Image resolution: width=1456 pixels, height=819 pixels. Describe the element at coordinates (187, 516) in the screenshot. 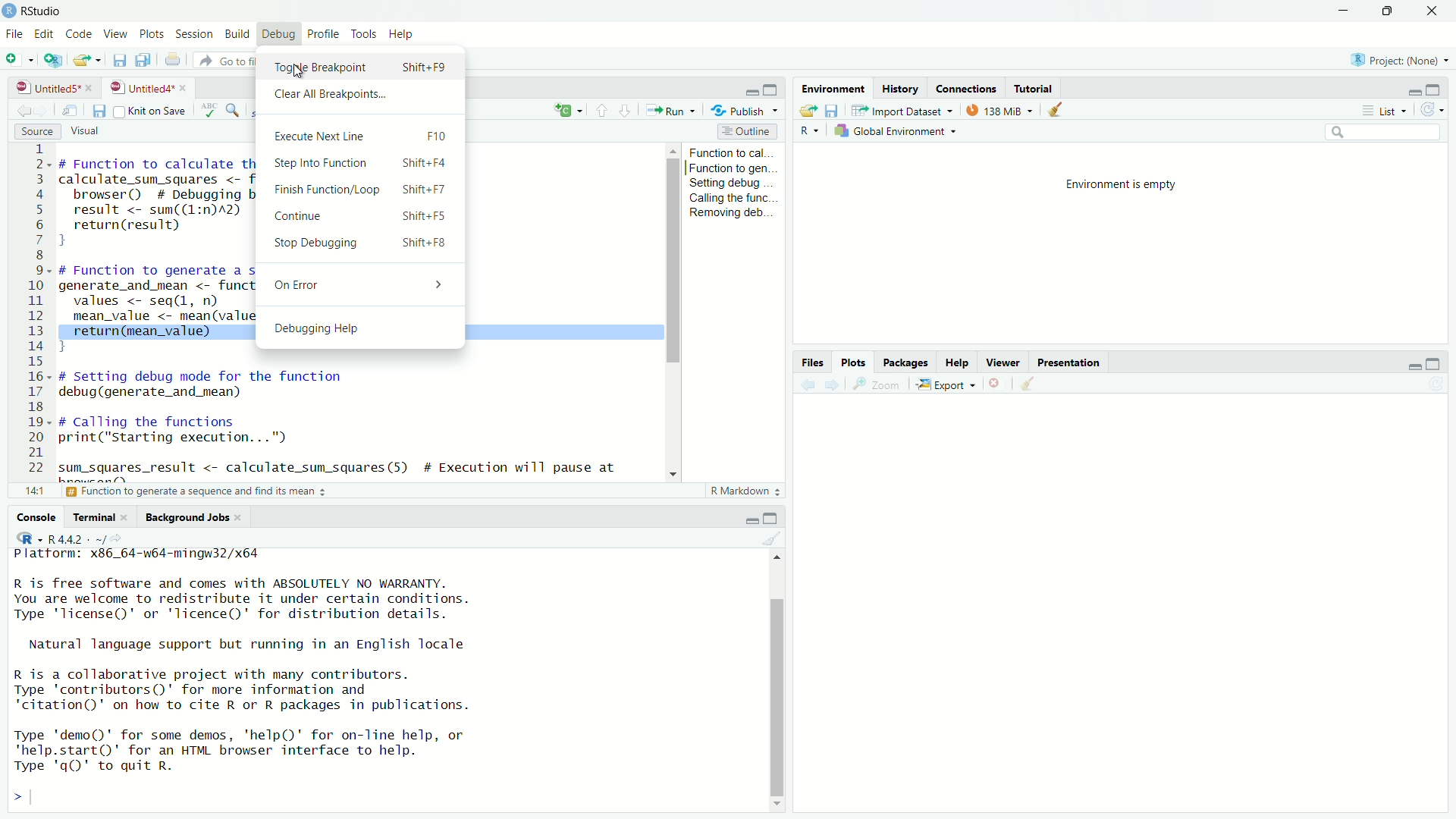

I see `background jobs` at that location.